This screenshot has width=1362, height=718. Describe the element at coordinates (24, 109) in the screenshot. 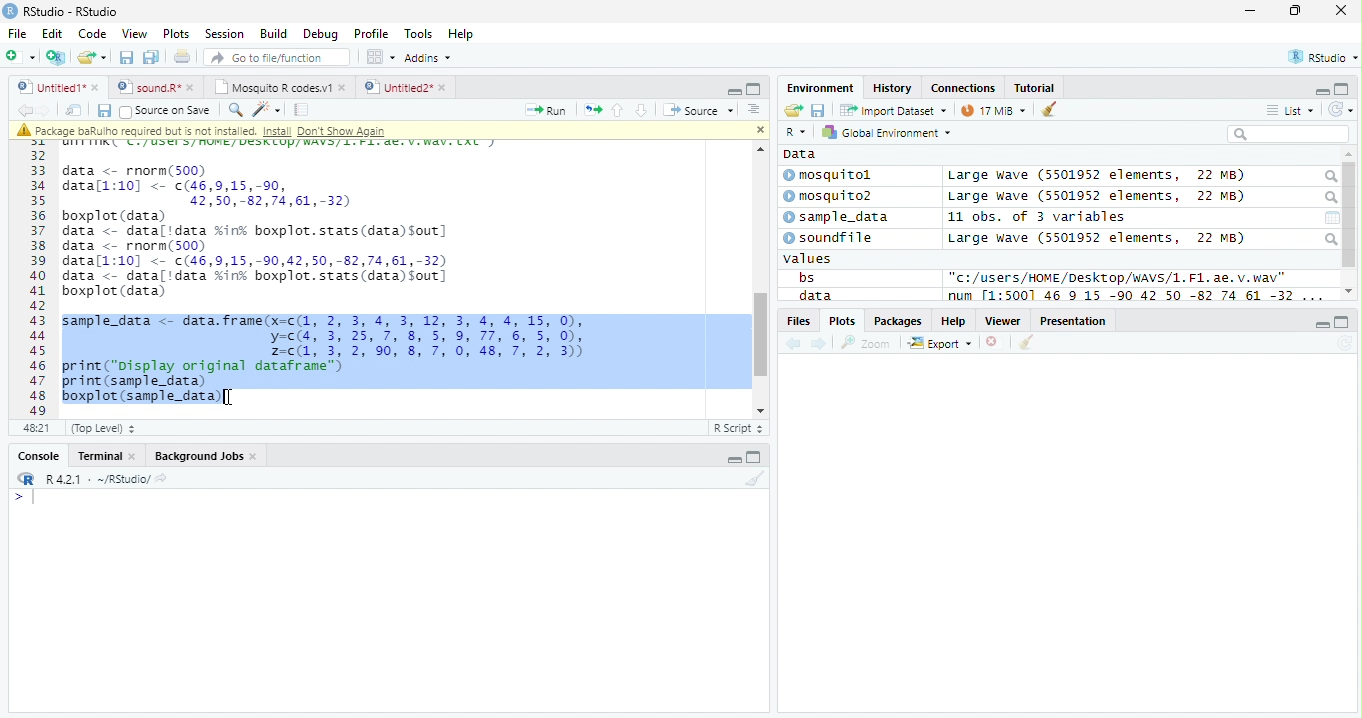

I see `Go backward` at that location.